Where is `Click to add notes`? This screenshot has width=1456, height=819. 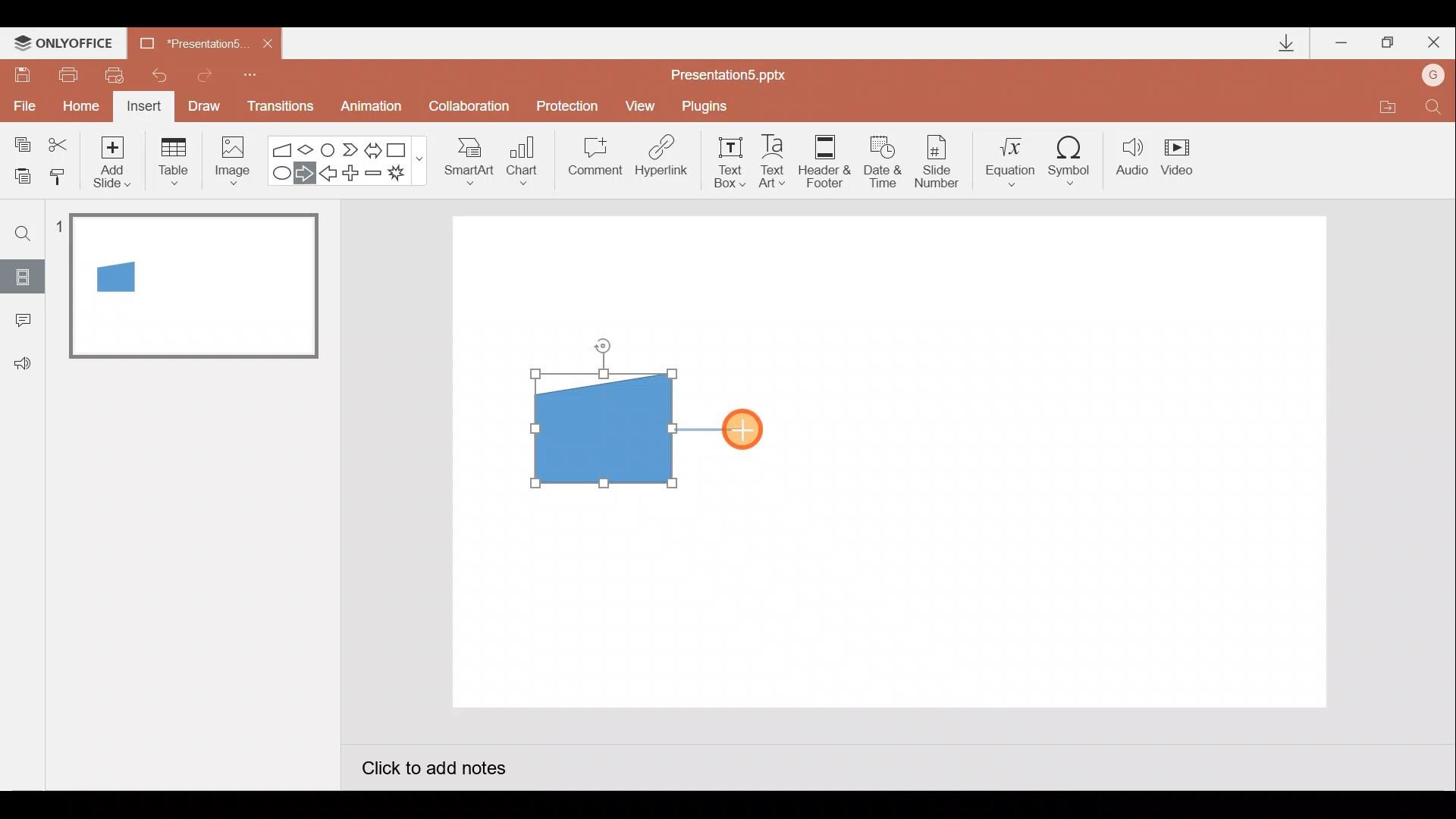 Click to add notes is located at coordinates (432, 770).